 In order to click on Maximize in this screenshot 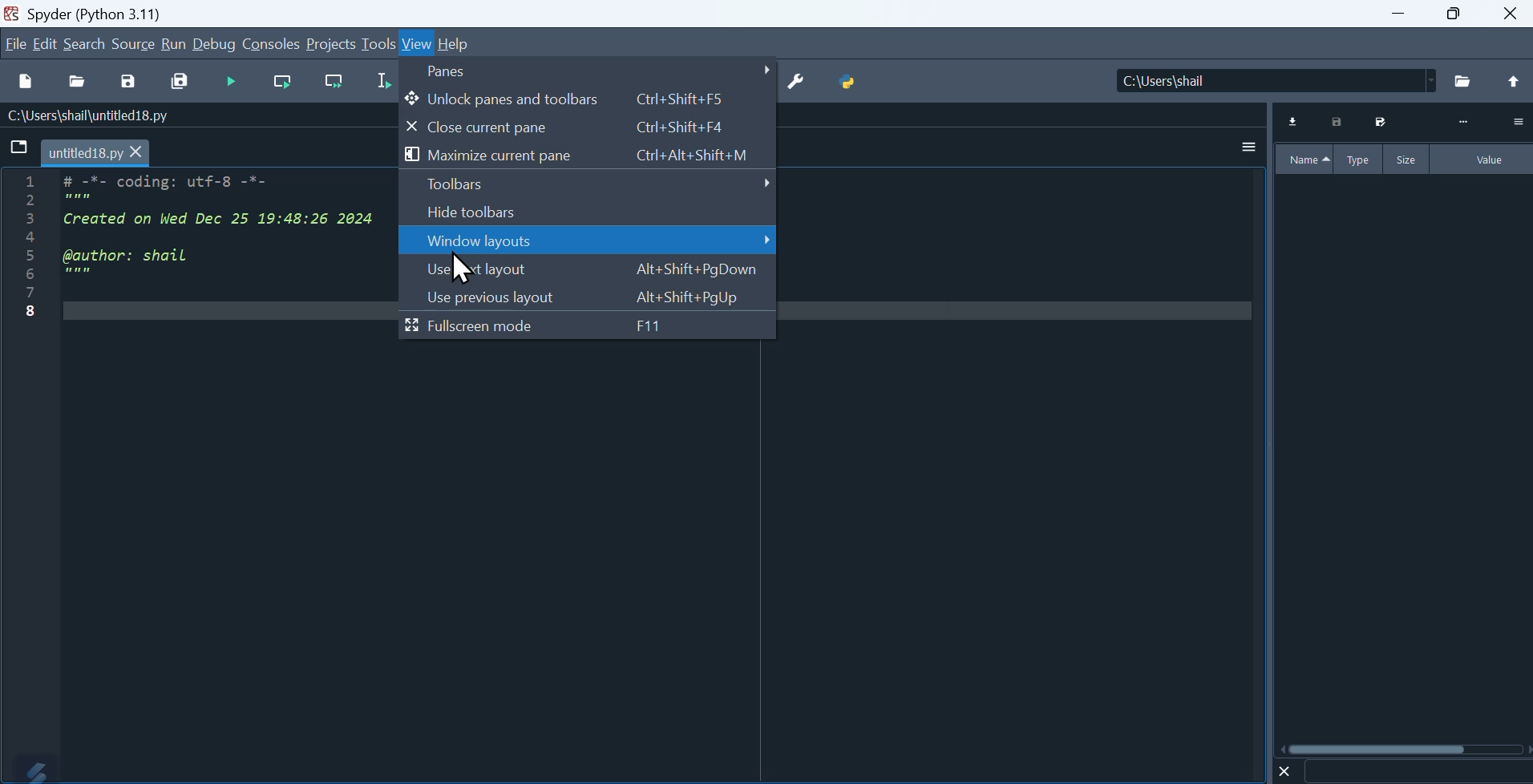, I will do `click(1454, 14)`.